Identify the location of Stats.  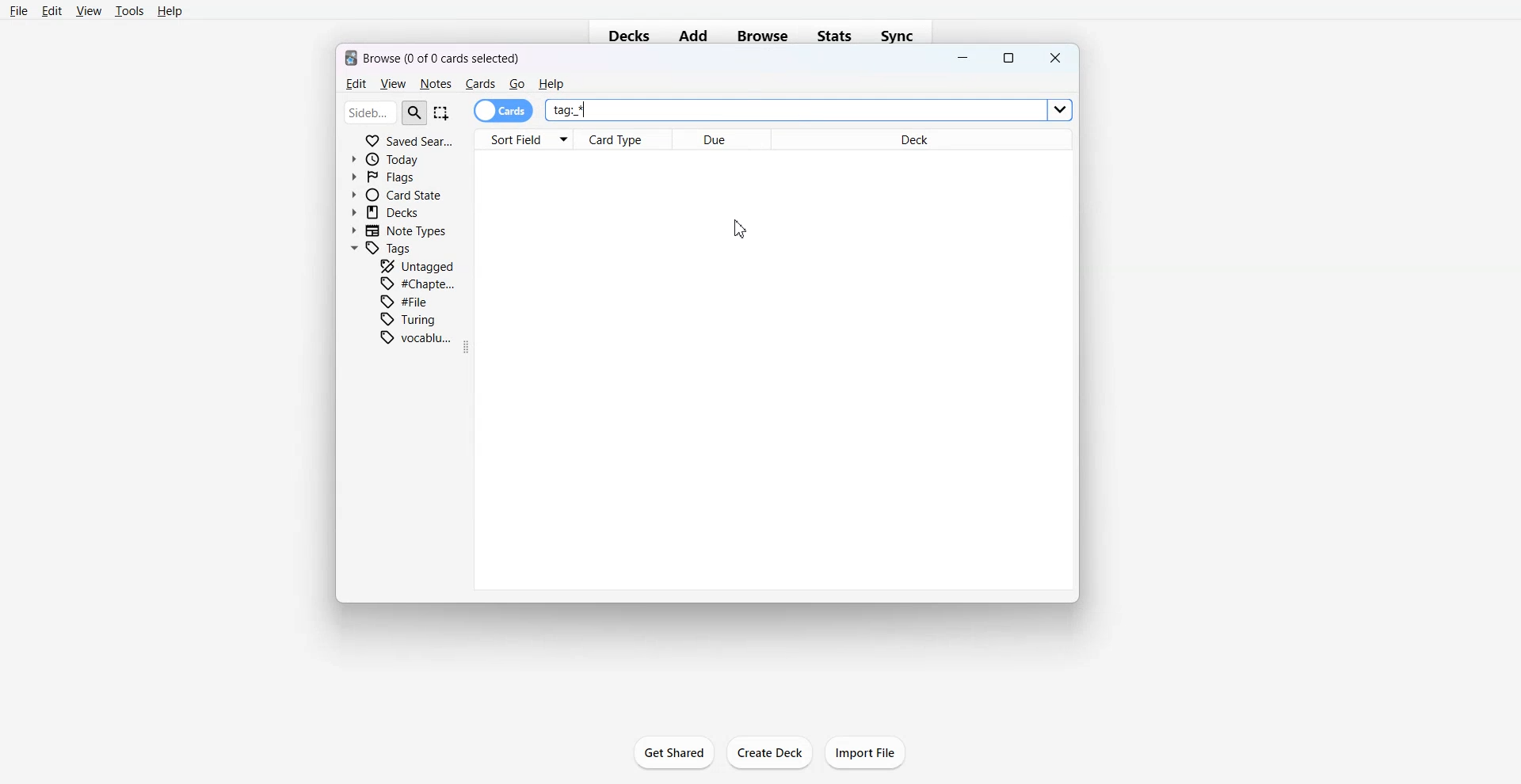
(837, 32).